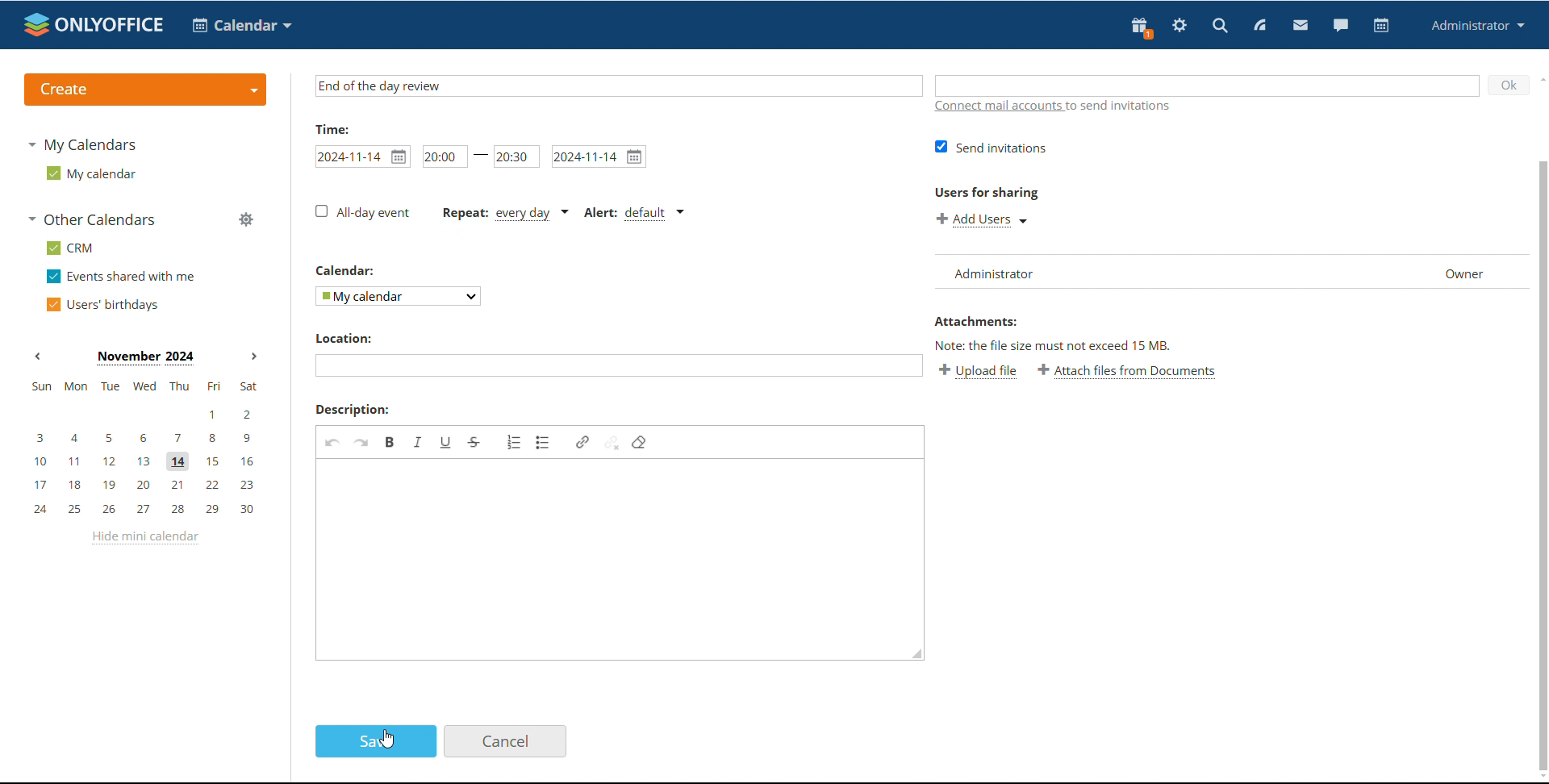 The image size is (1549, 784). What do you see at coordinates (991, 148) in the screenshot?
I see `Send invitations` at bounding box center [991, 148].